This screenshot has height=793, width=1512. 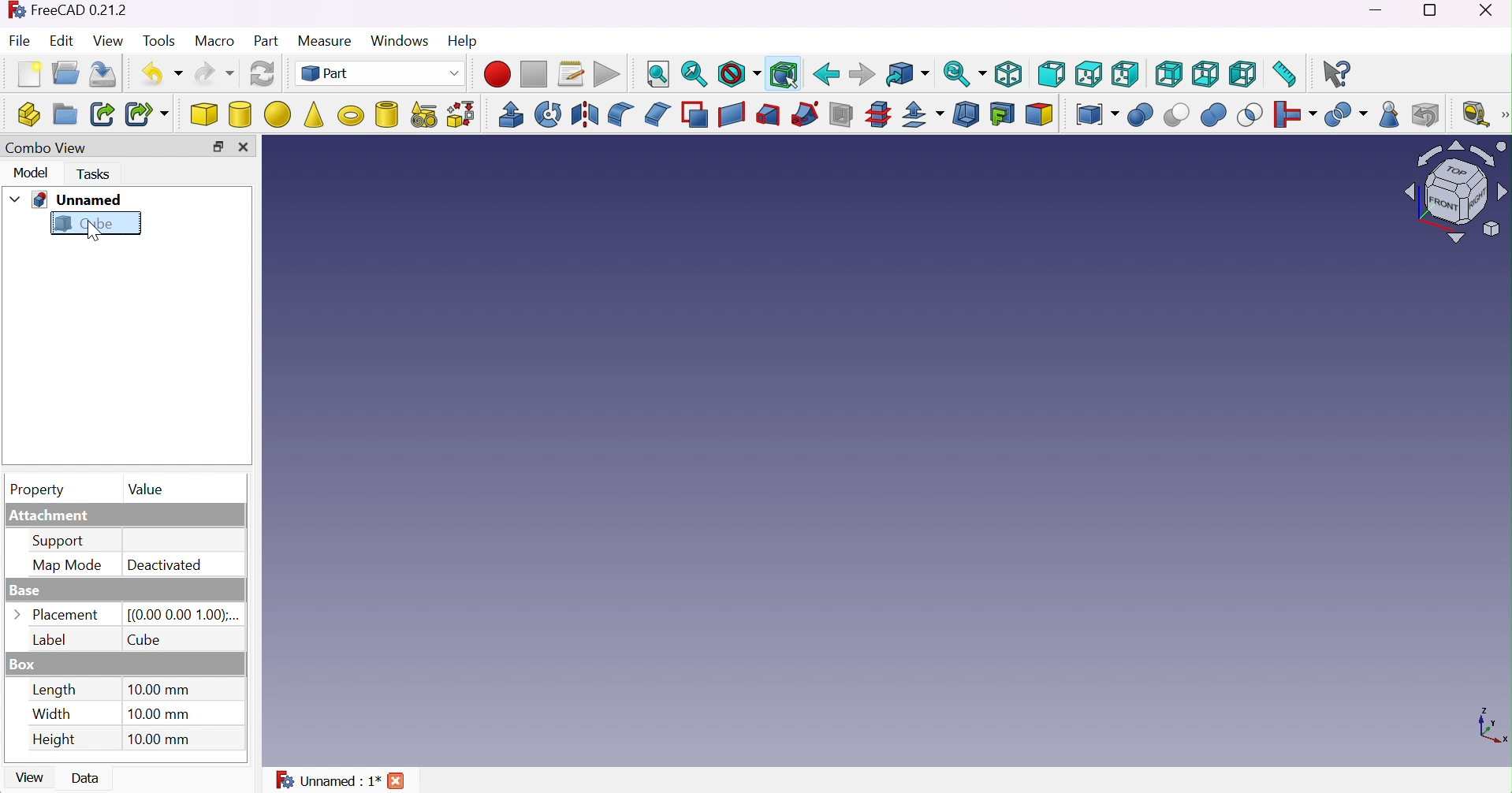 What do you see at coordinates (217, 43) in the screenshot?
I see `Macro` at bounding box center [217, 43].